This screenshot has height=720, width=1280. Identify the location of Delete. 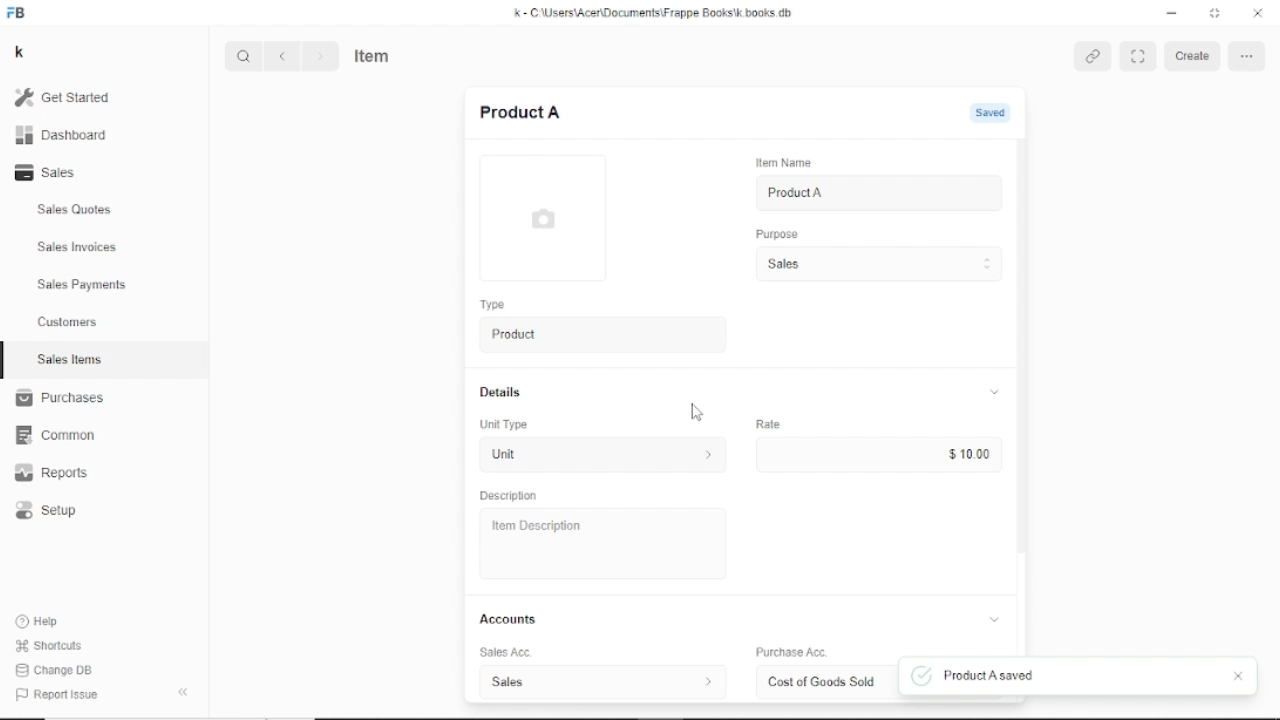
(1246, 55).